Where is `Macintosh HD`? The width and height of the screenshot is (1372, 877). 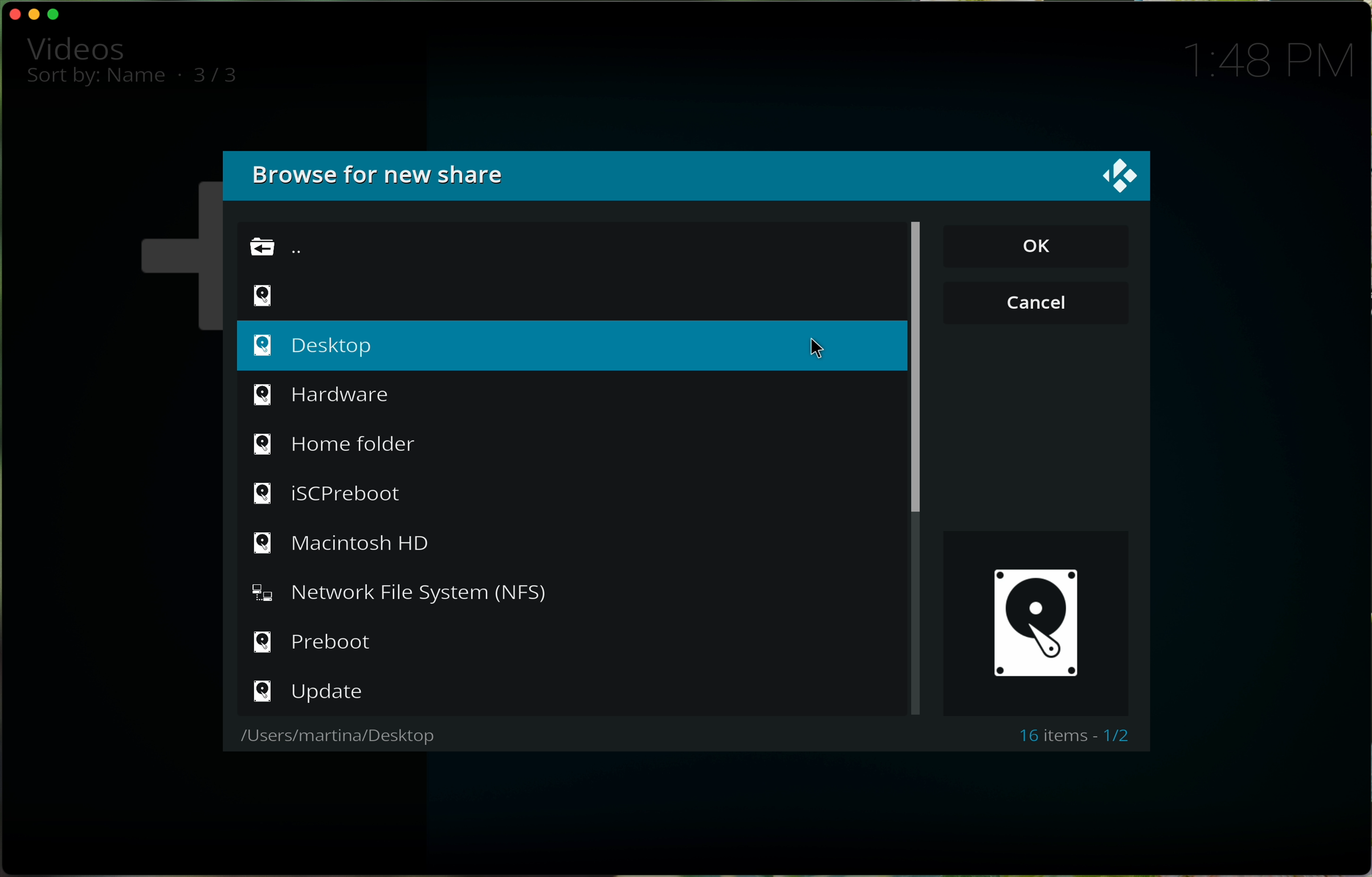
Macintosh HD is located at coordinates (344, 544).